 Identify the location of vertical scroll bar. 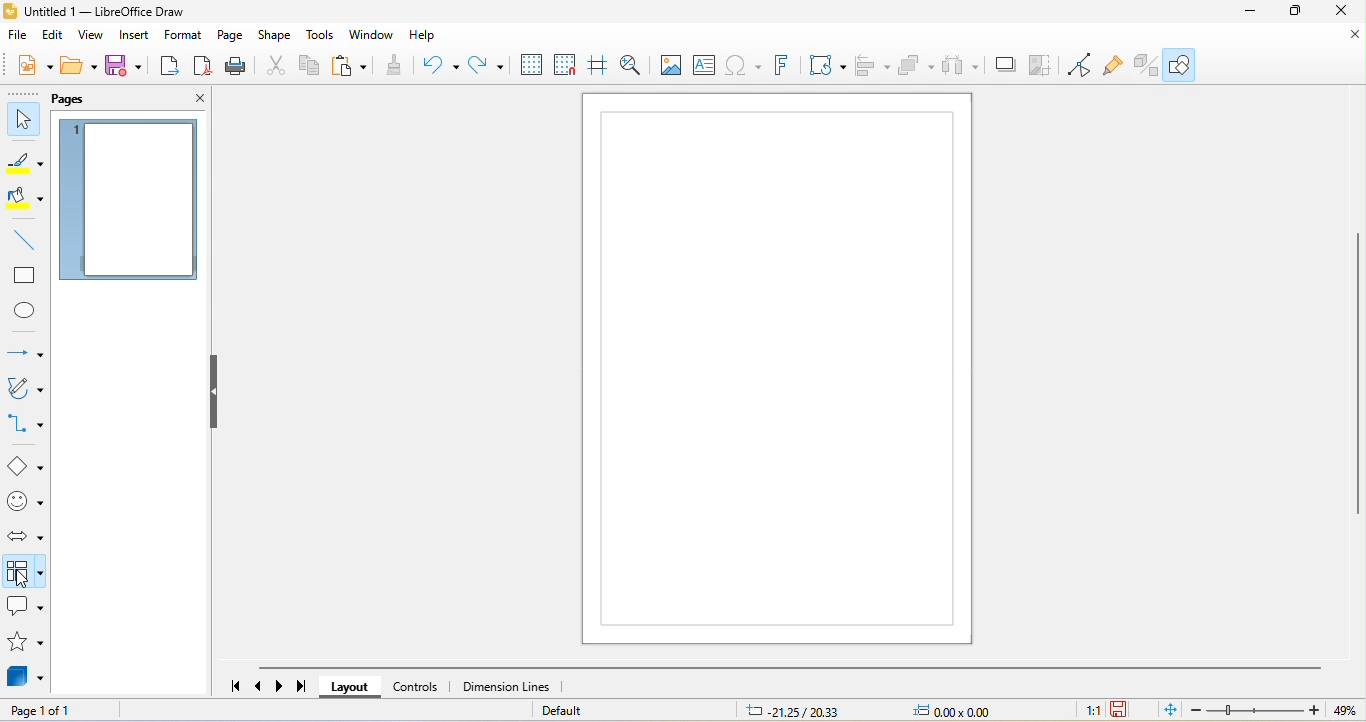
(1357, 373).